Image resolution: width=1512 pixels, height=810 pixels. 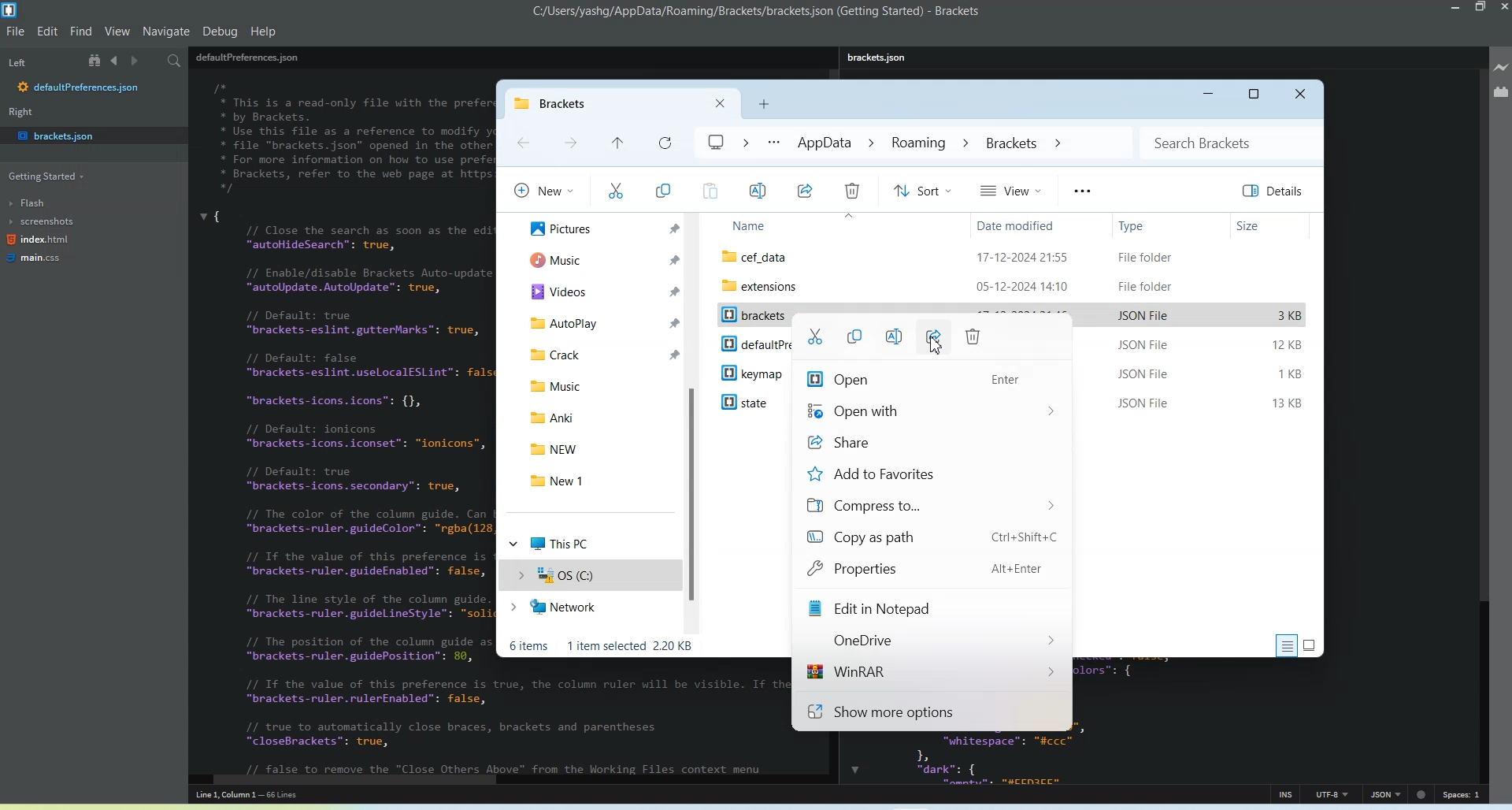 What do you see at coordinates (851, 191) in the screenshot?
I see `Delete` at bounding box center [851, 191].